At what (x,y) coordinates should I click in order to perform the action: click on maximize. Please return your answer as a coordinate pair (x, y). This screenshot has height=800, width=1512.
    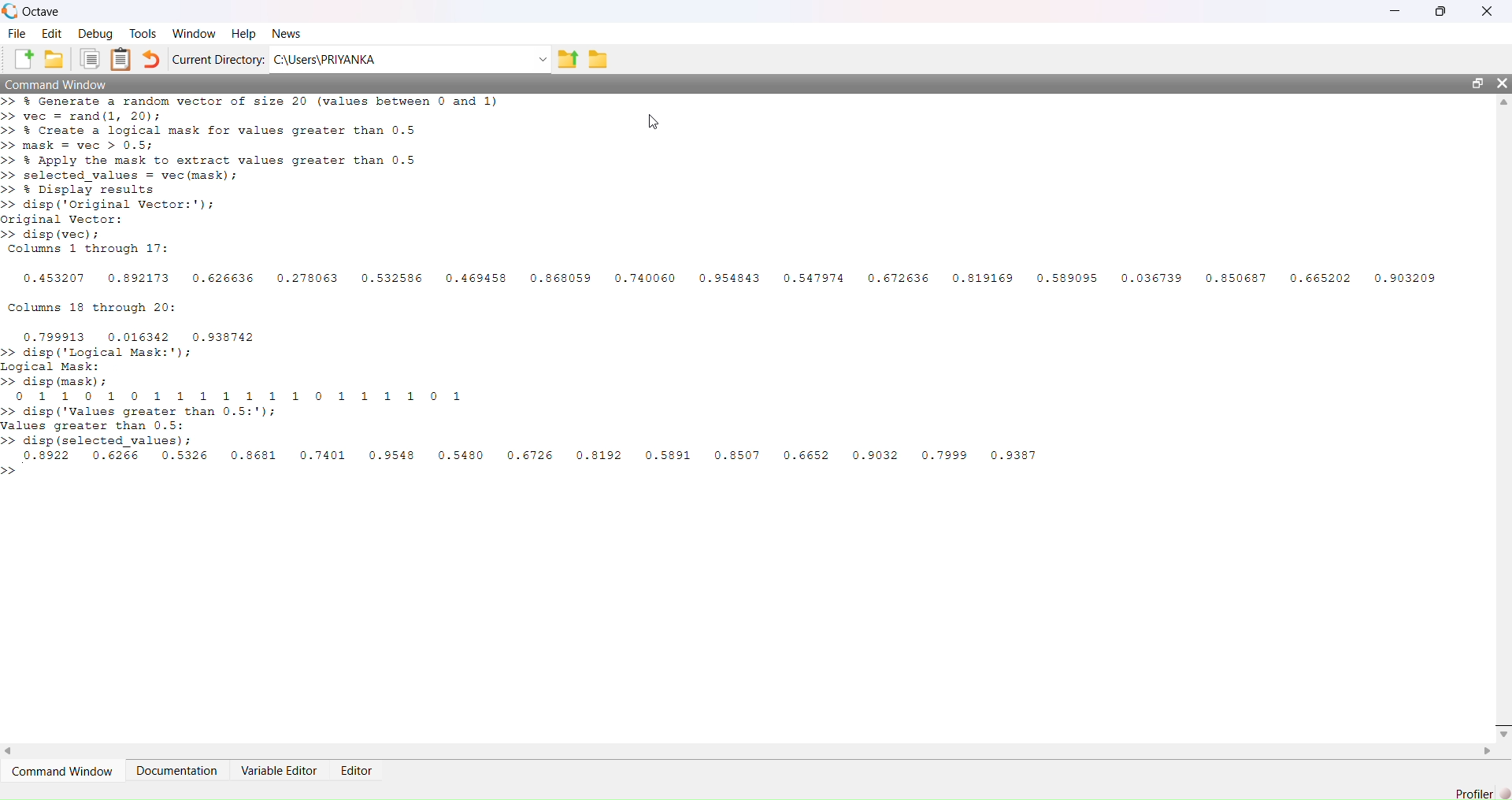
    Looking at the image, I should click on (1478, 83).